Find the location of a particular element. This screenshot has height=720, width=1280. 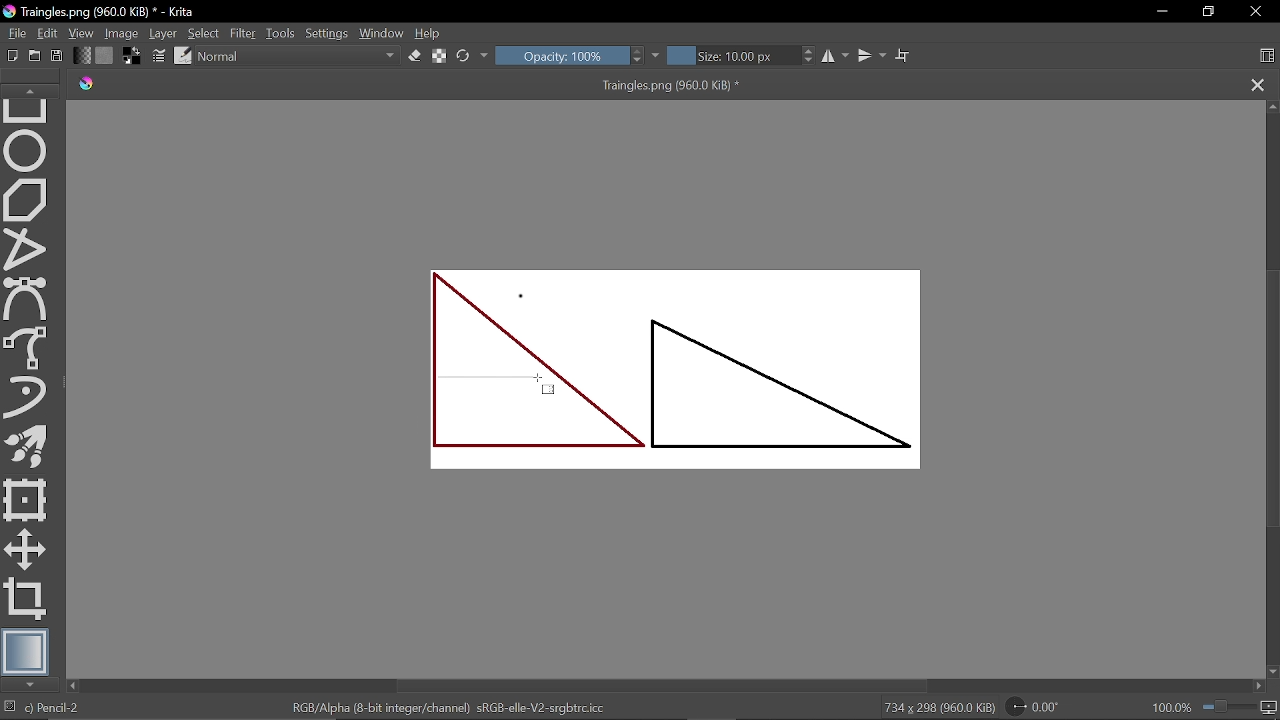

Dynamic brush tool is located at coordinates (26, 397).